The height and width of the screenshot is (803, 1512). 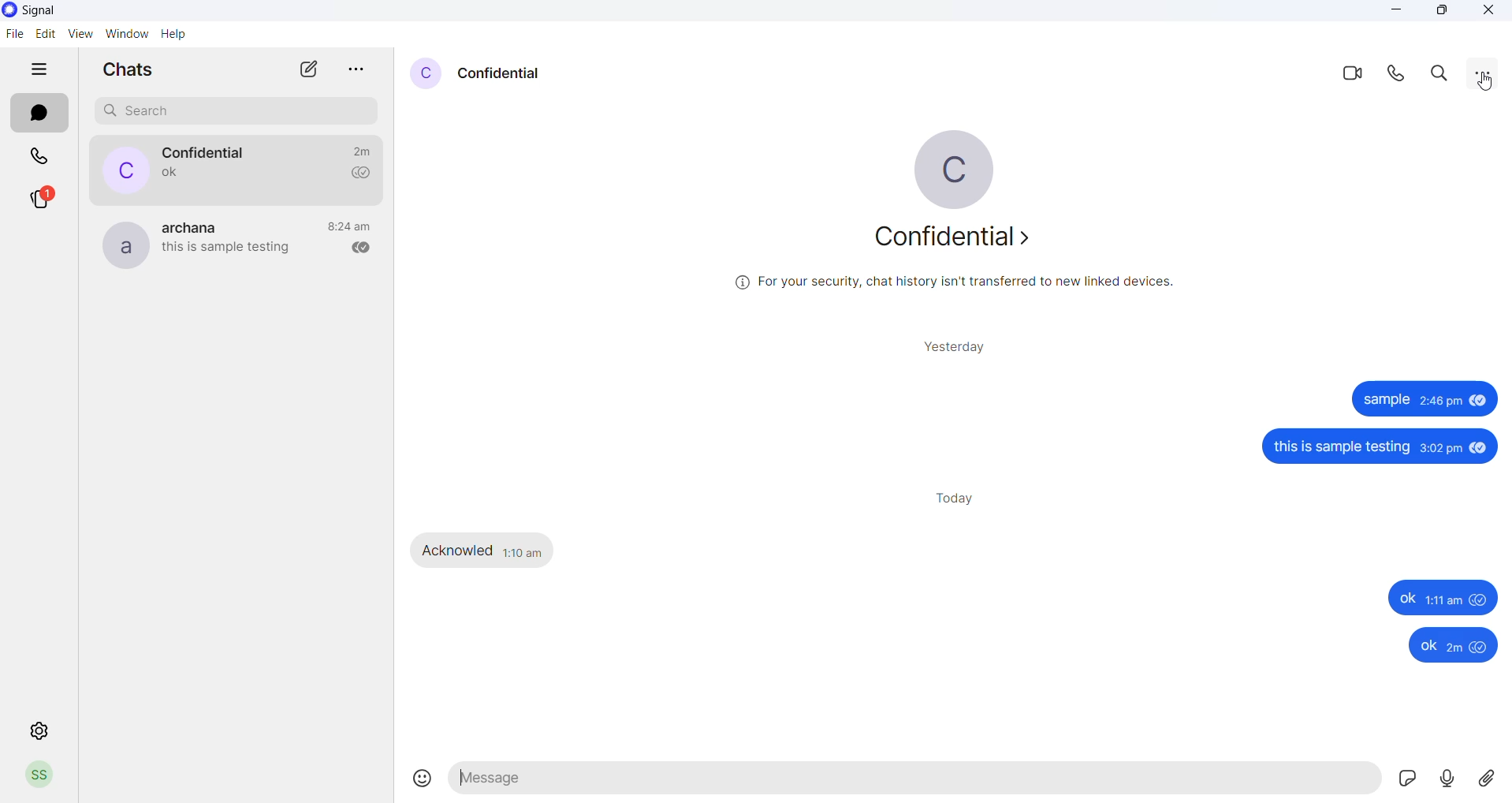 What do you see at coordinates (1343, 75) in the screenshot?
I see `video call` at bounding box center [1343, 75].